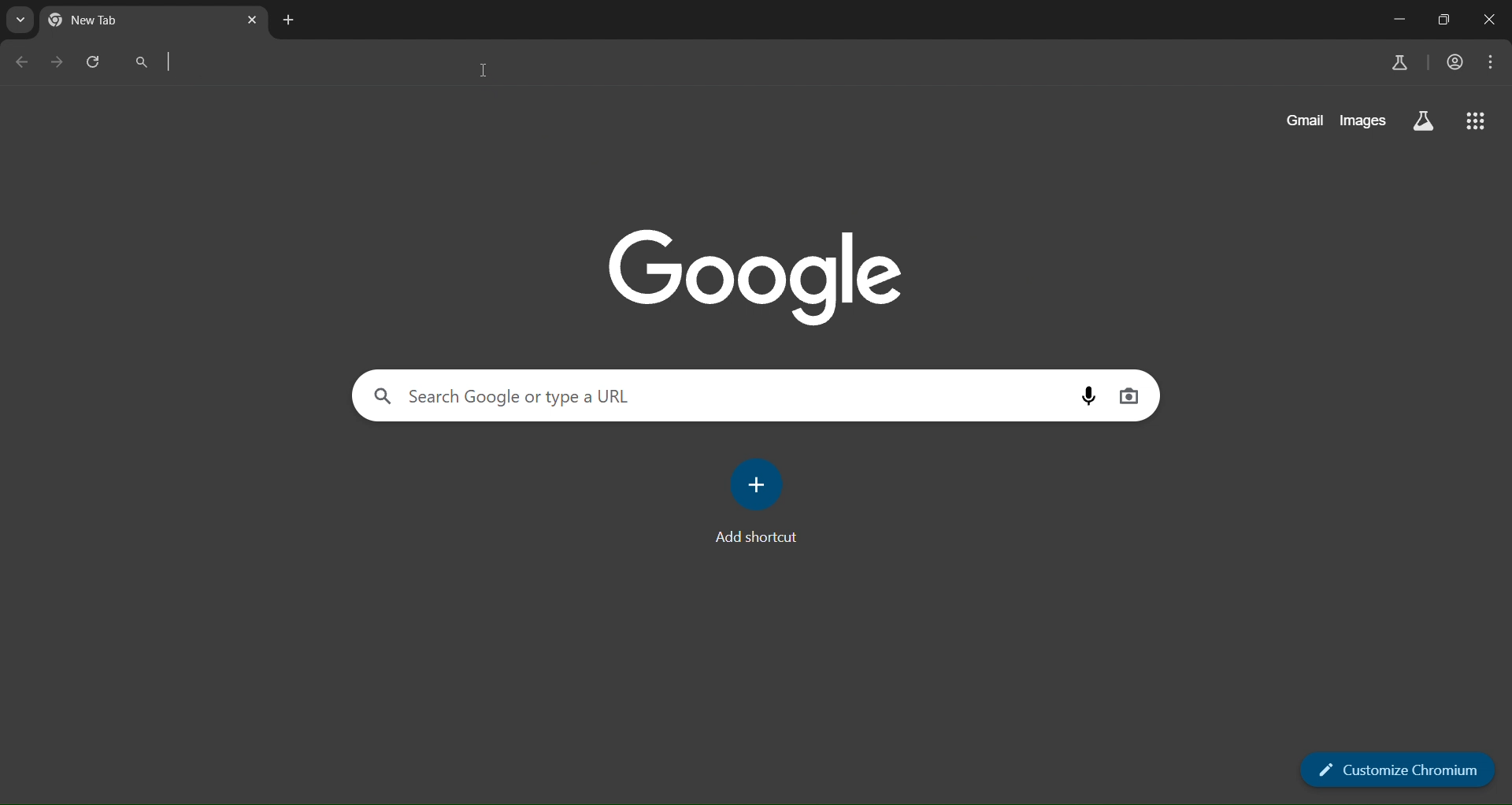 This screenshot has width=1512, height=805. What do you see at coordinates (1454, 61) in the screenshot?
I see `account` at bounding box center [1454, 61].